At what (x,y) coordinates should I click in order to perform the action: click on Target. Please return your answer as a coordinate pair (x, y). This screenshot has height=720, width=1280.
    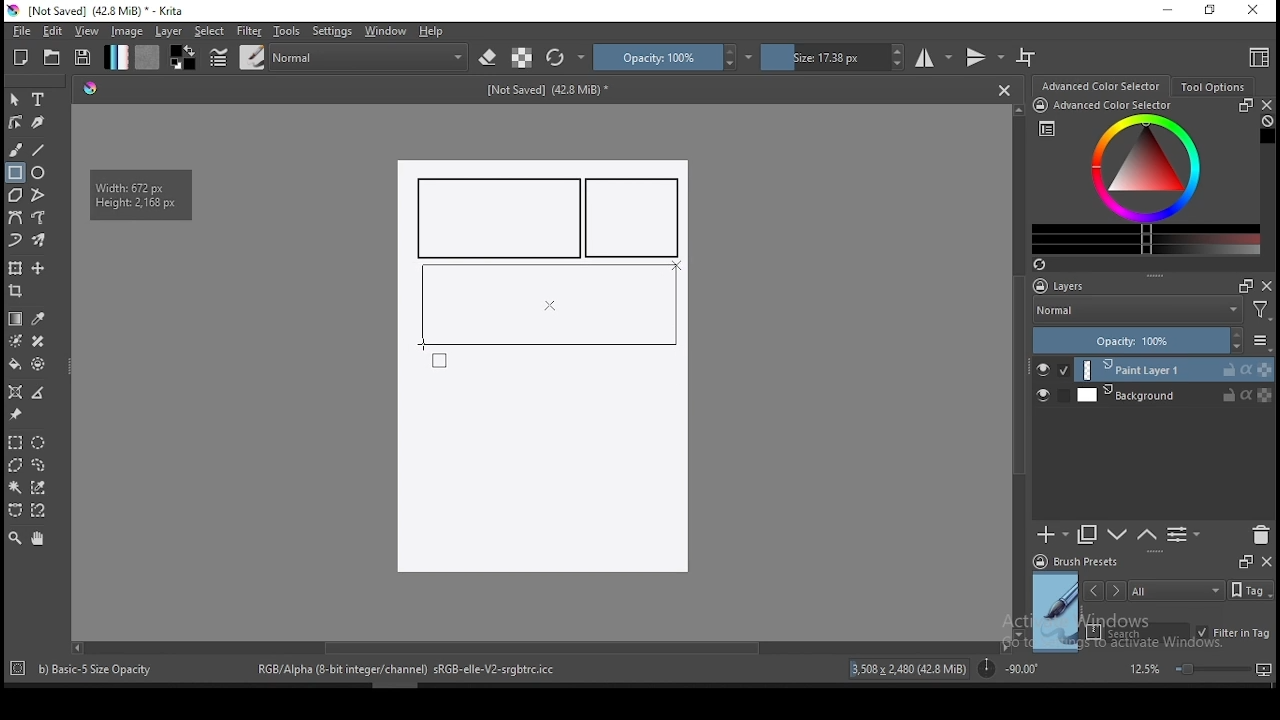
    Looking at the image, I should click on (19, 669).